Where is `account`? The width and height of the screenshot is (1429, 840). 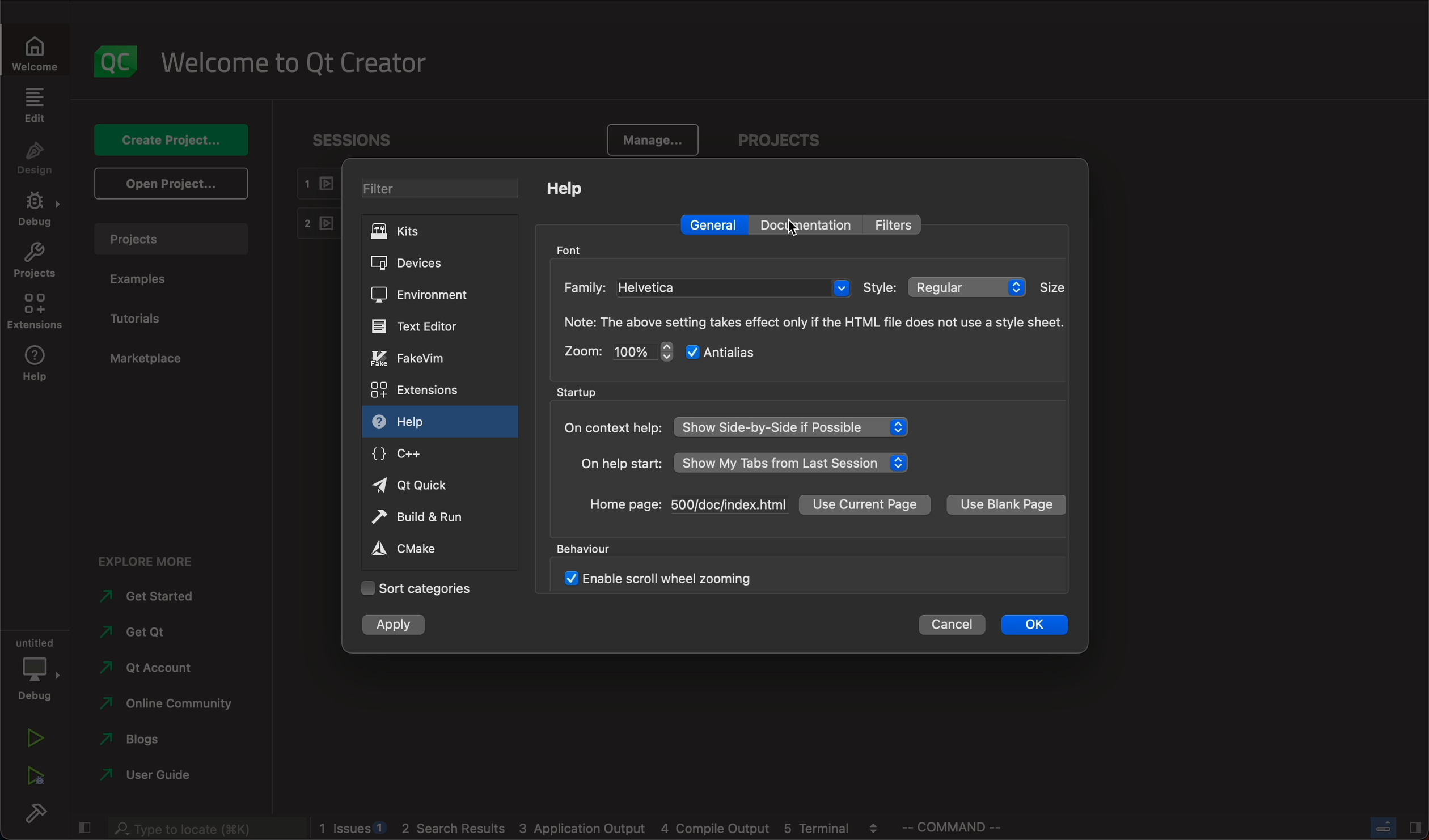 account is located at coordinates (150, 669).